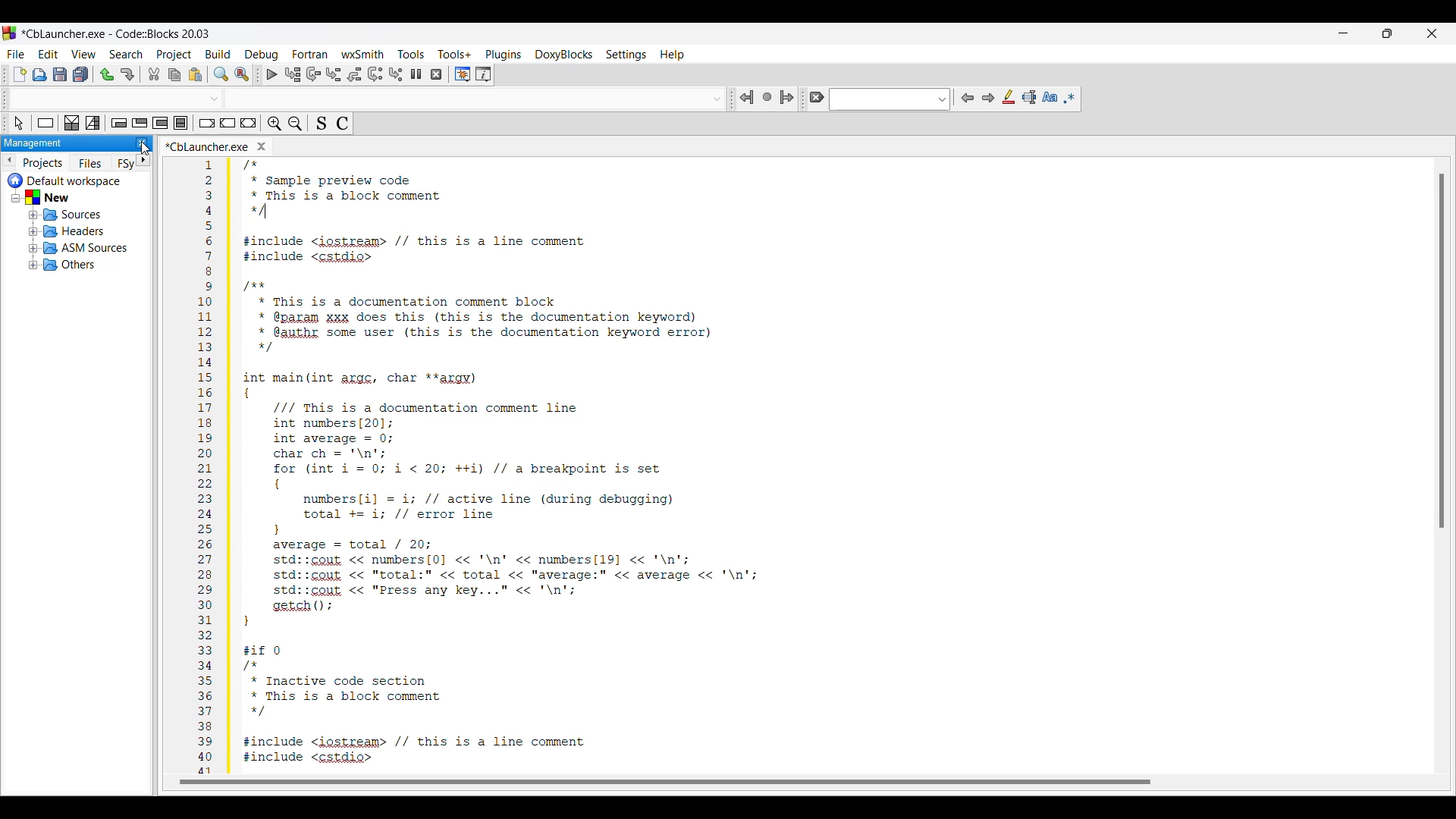 Image resolution: width=1456 pixels, height=819 pixels. I want to click on Selection, so click(93, 123).